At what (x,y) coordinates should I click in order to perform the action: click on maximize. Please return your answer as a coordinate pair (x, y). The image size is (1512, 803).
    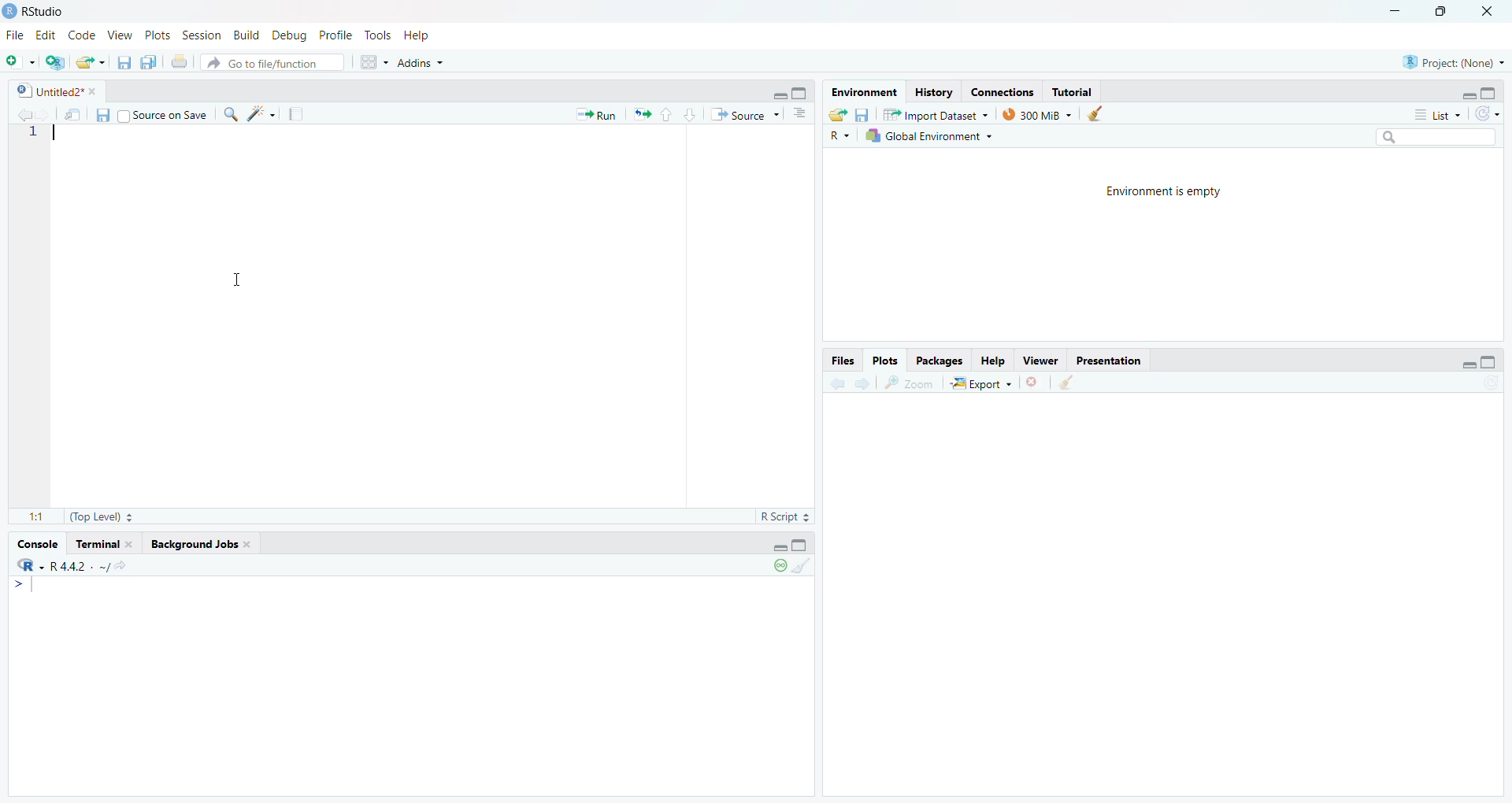
    Looking at the image, I should click on (1439, 13).